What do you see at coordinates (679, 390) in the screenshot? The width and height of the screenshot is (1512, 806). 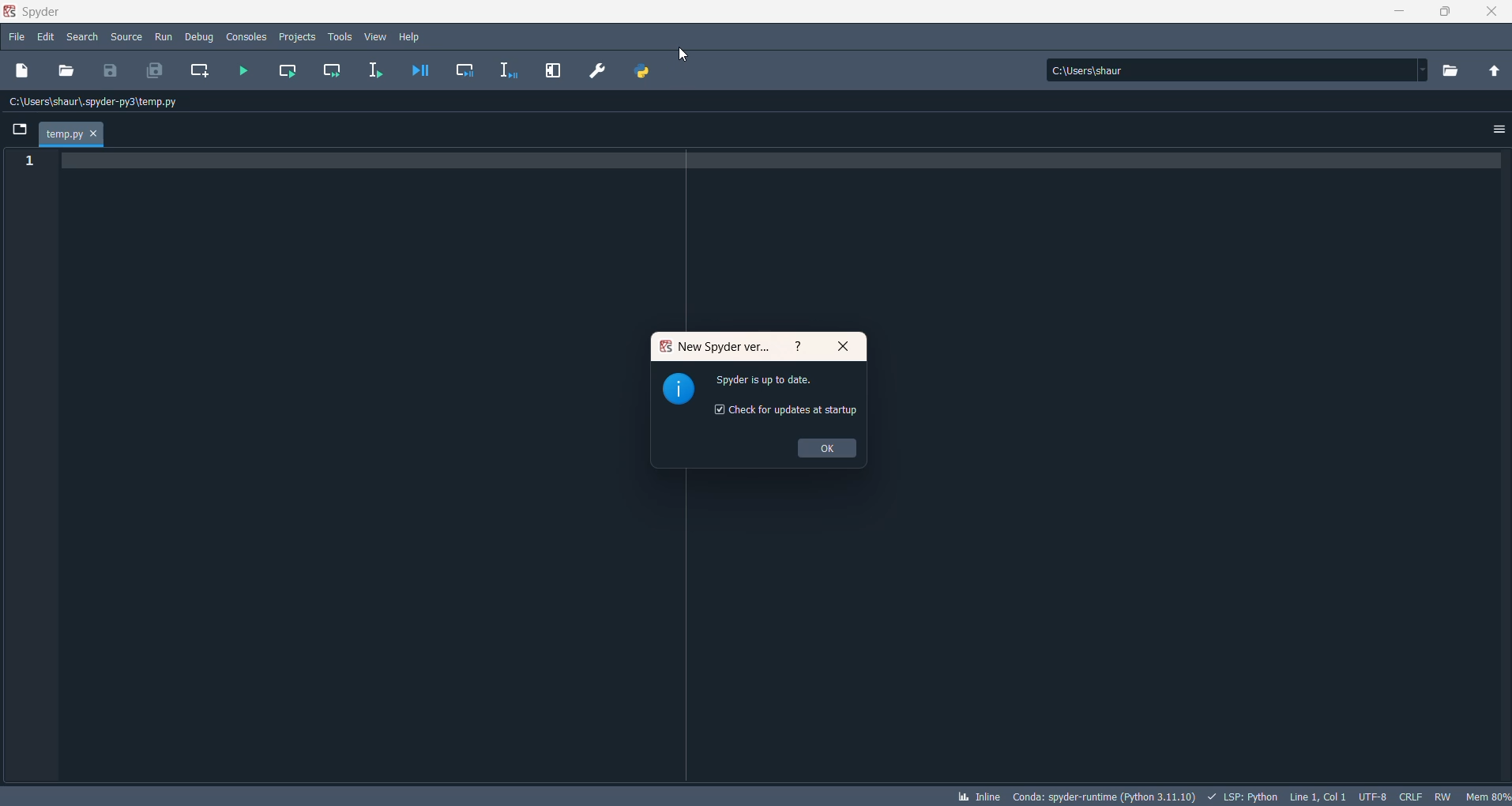 I see `logo` at bounding box center [679, 390].